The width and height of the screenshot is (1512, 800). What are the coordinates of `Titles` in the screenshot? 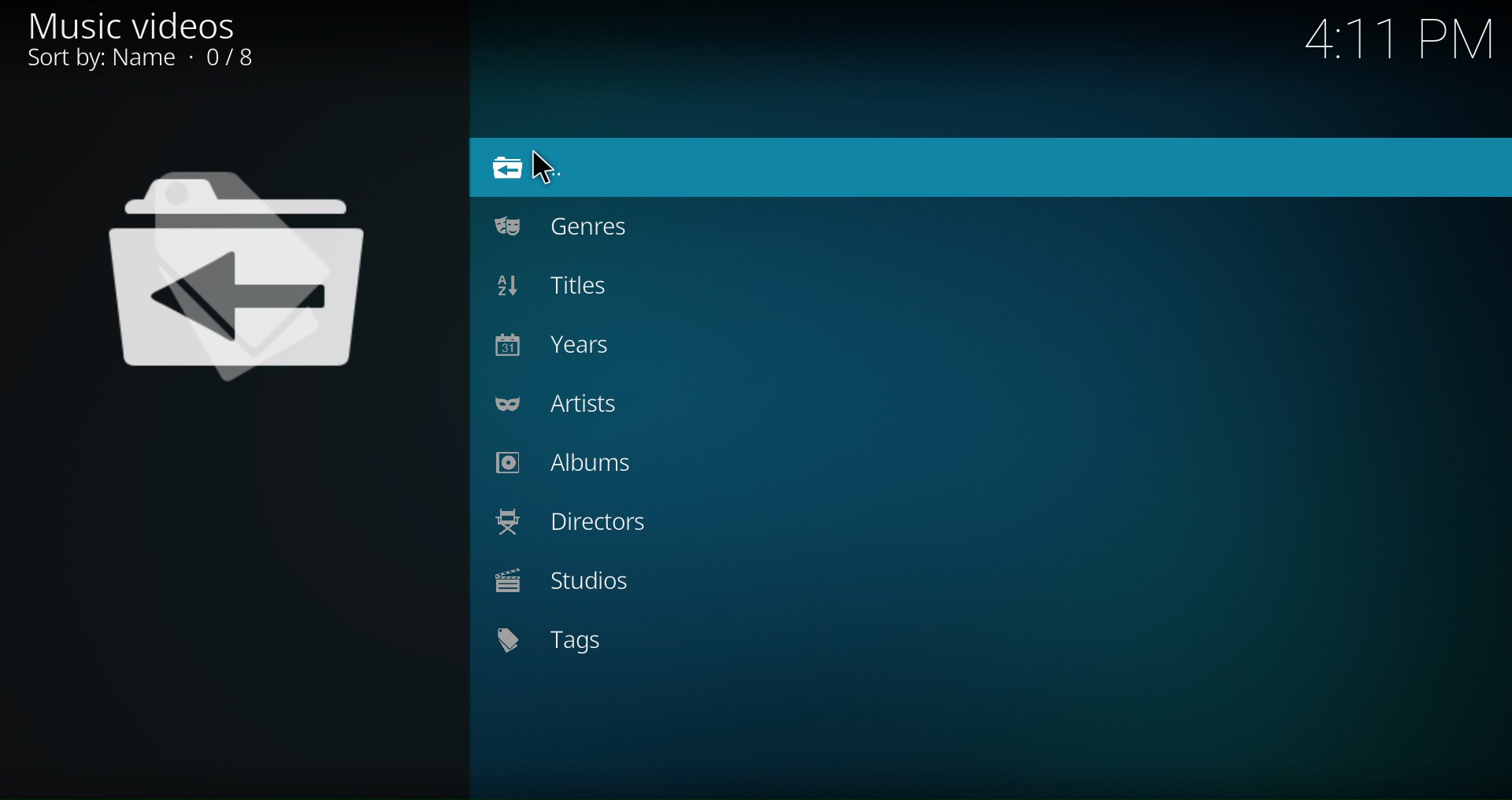 It's located at (600, 280).